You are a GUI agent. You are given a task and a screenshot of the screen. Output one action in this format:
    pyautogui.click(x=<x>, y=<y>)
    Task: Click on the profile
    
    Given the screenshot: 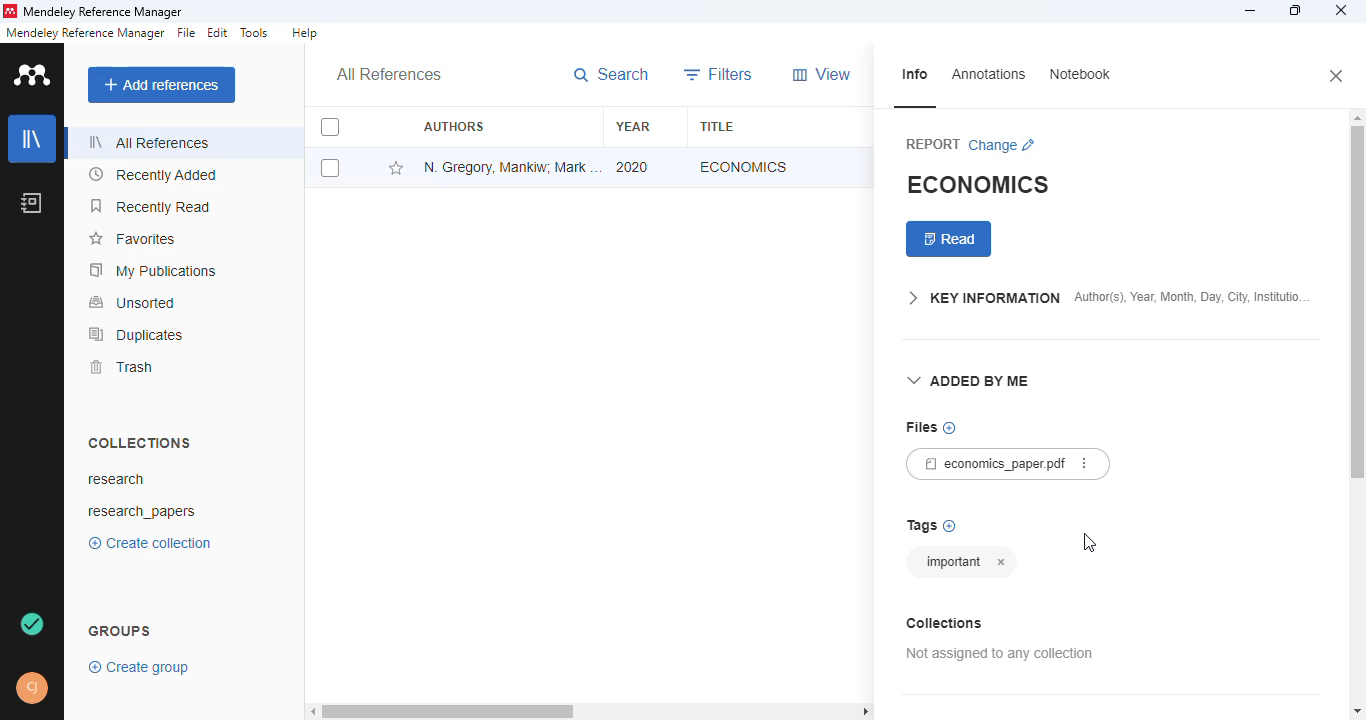 What is the action you would take?
    pyautogui.click(x=32, y=689)
    